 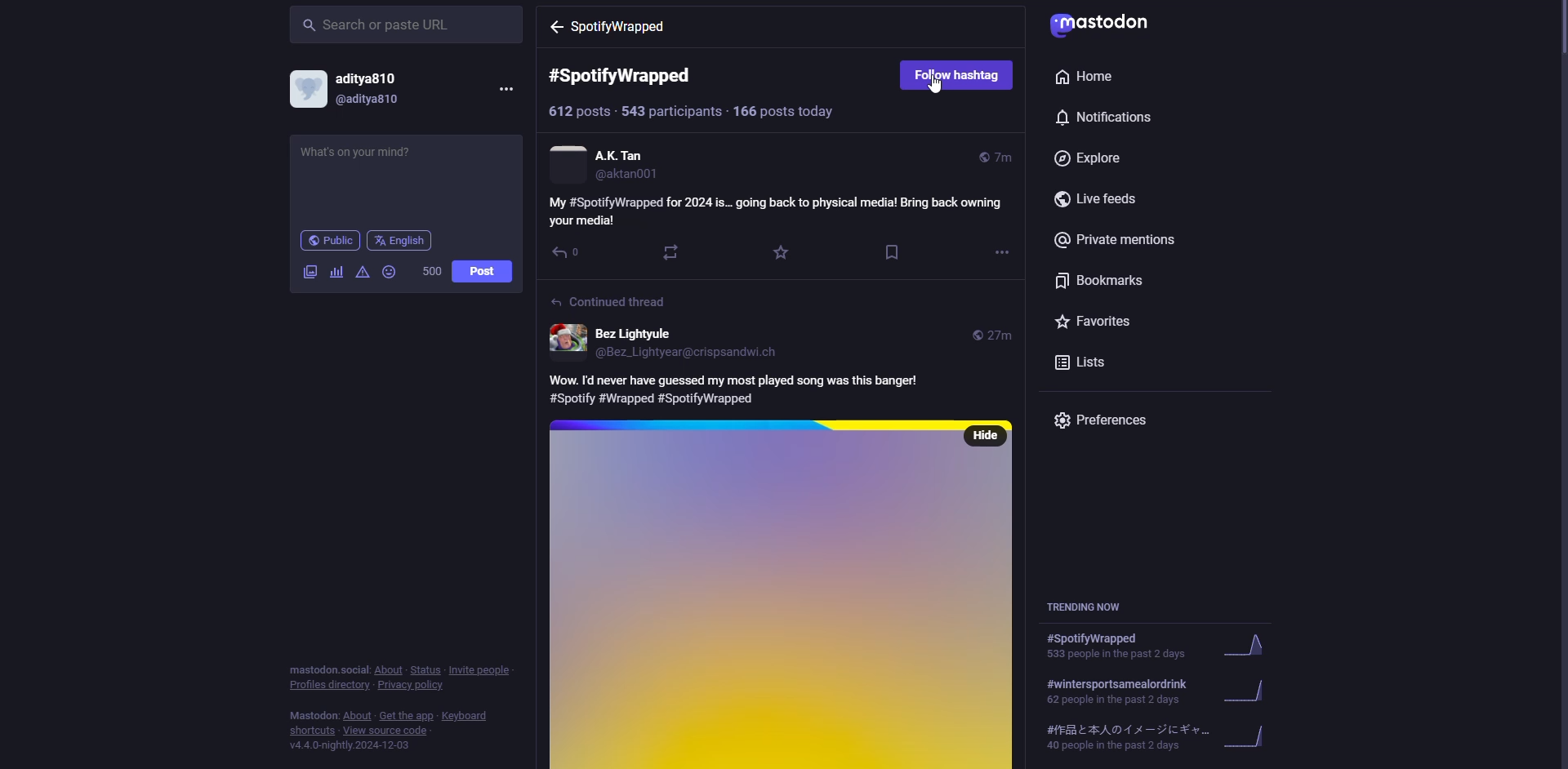 What do you see at coordinates (1001, 252) in the screenshot?
I see `more` at bounding box center [1001, 252].